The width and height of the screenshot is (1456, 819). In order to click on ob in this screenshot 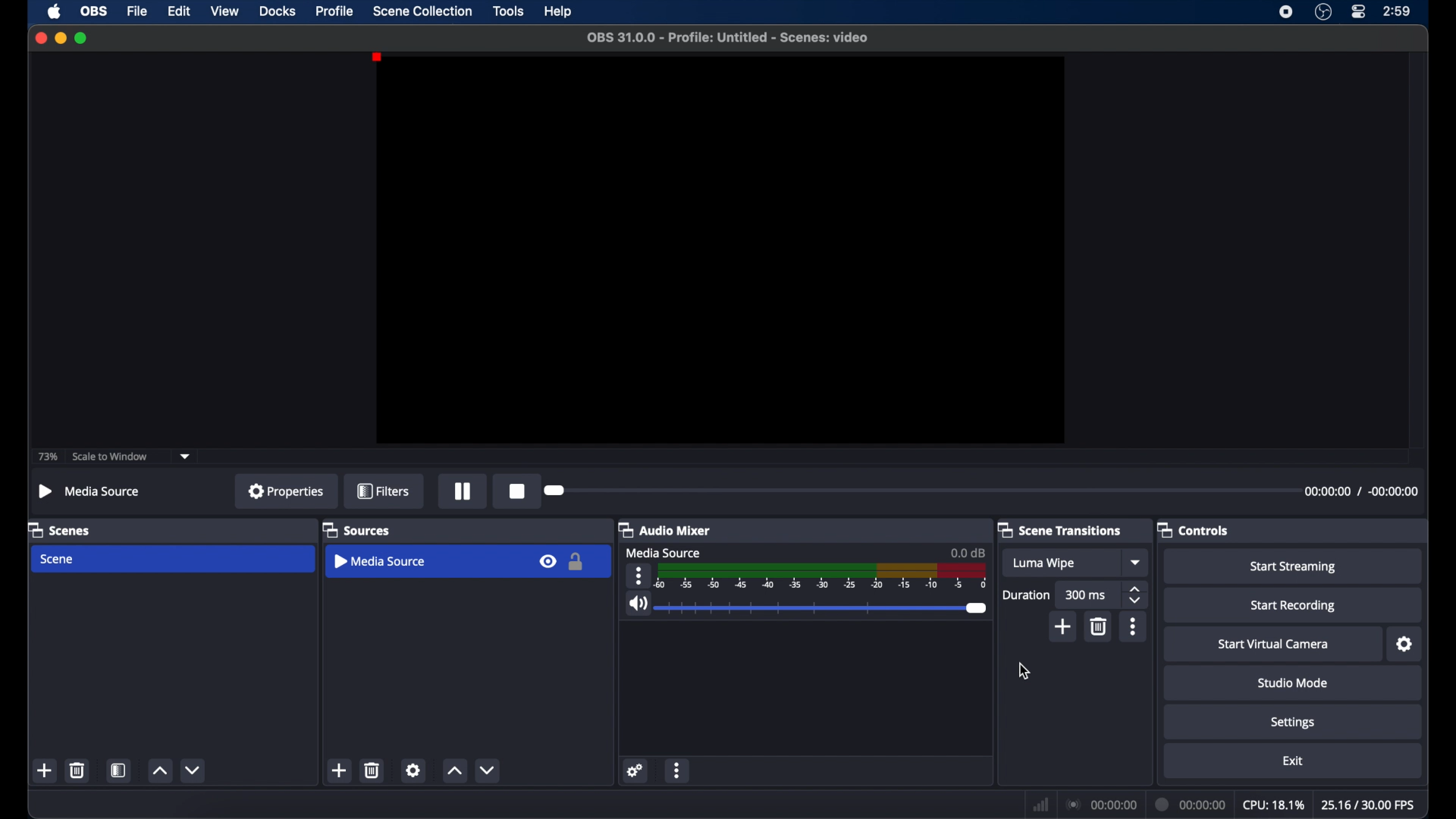, I will do `click(96, 11)`.